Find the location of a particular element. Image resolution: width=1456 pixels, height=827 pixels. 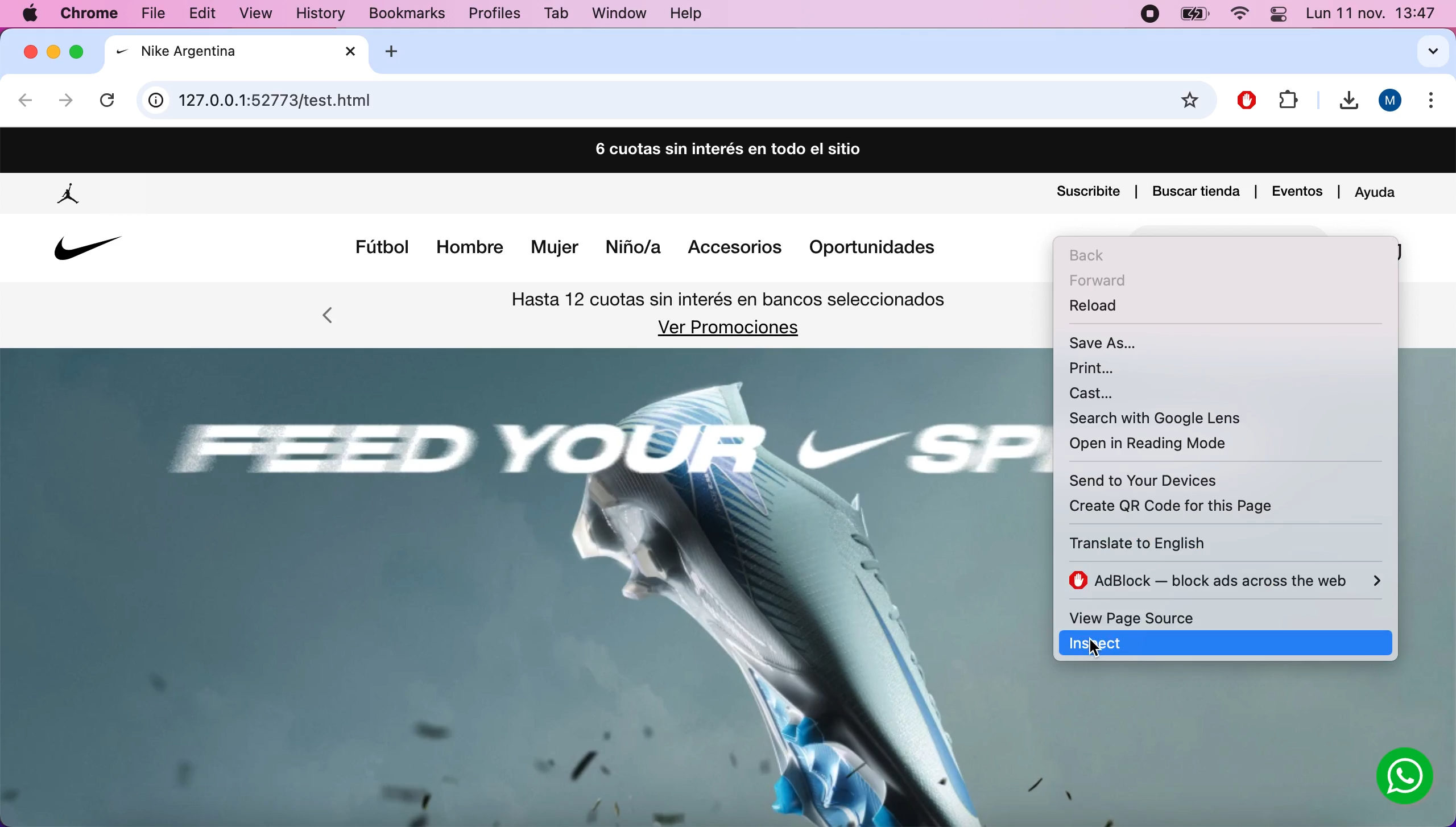

user is located at coordinates (1391, 101).